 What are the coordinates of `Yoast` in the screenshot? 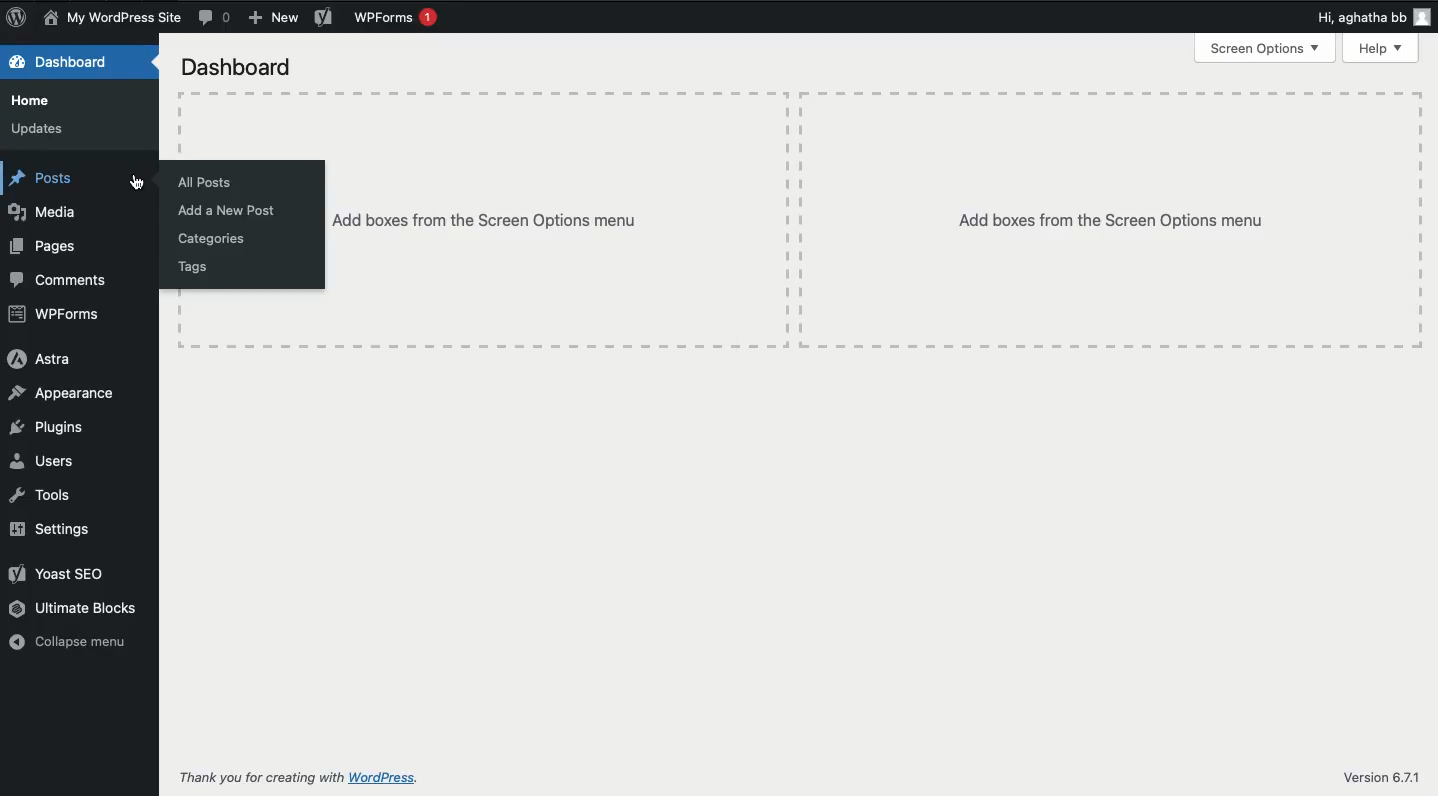 It's located at (323, 18).